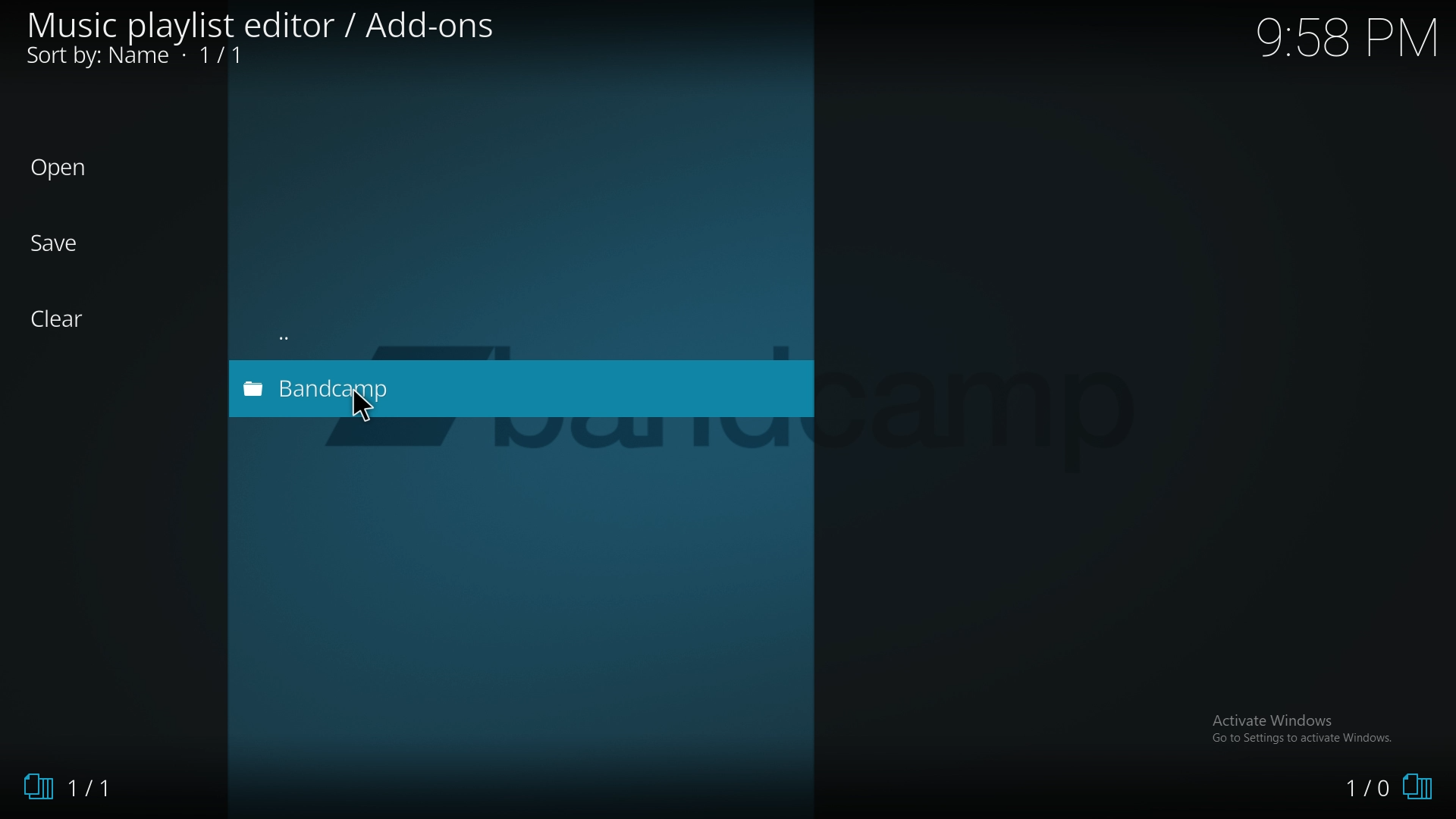 The height and width of the screenshot is (819, 1456). I want to click on Activate Windows, Go to settings to activate windows, so click(1310, 728).